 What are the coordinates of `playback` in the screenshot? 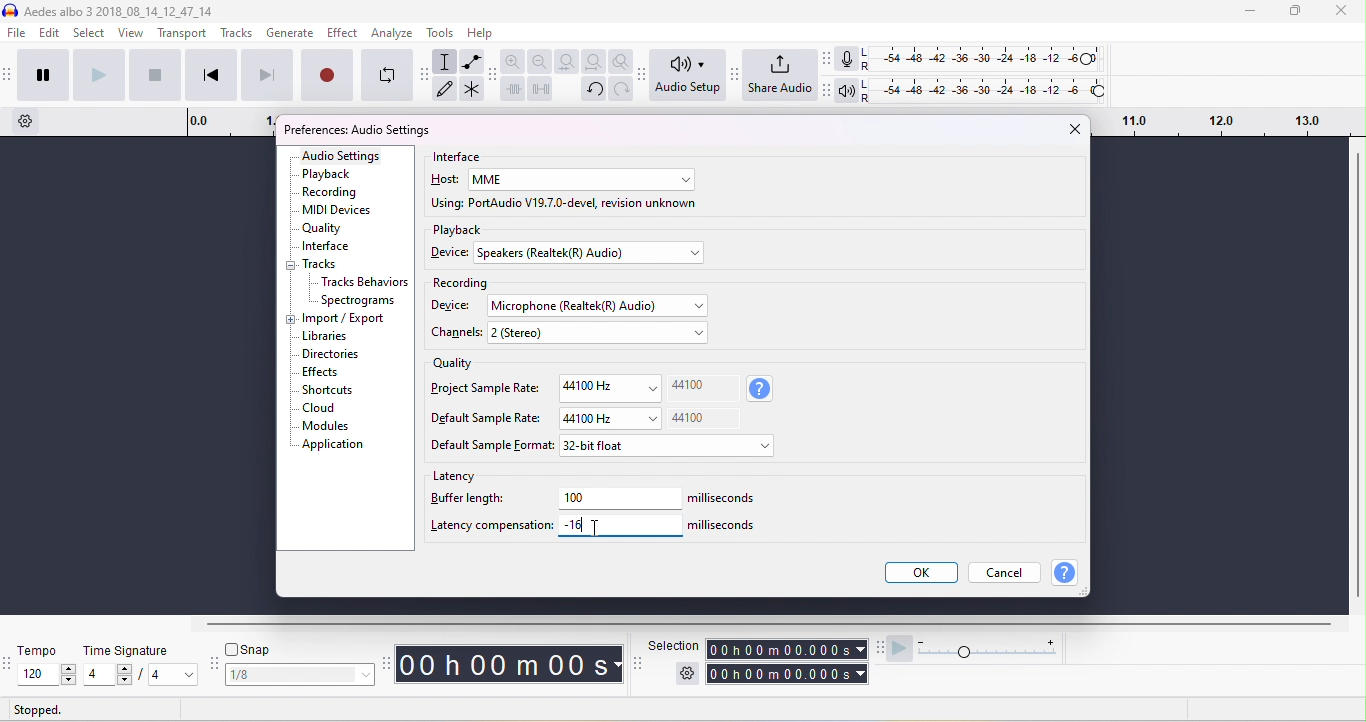 It's located at (458, 230).